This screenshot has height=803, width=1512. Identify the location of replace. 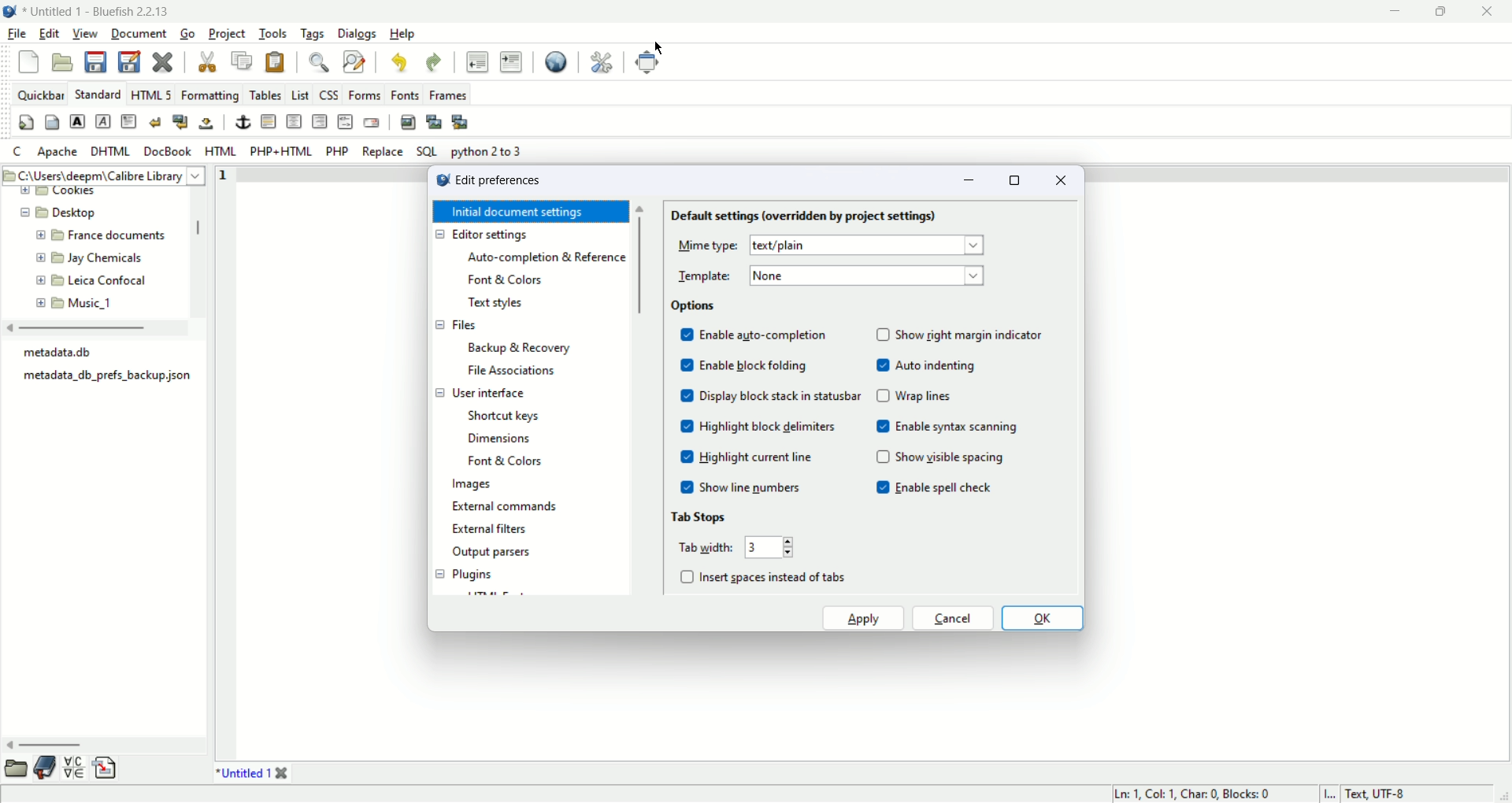
(383, 153).